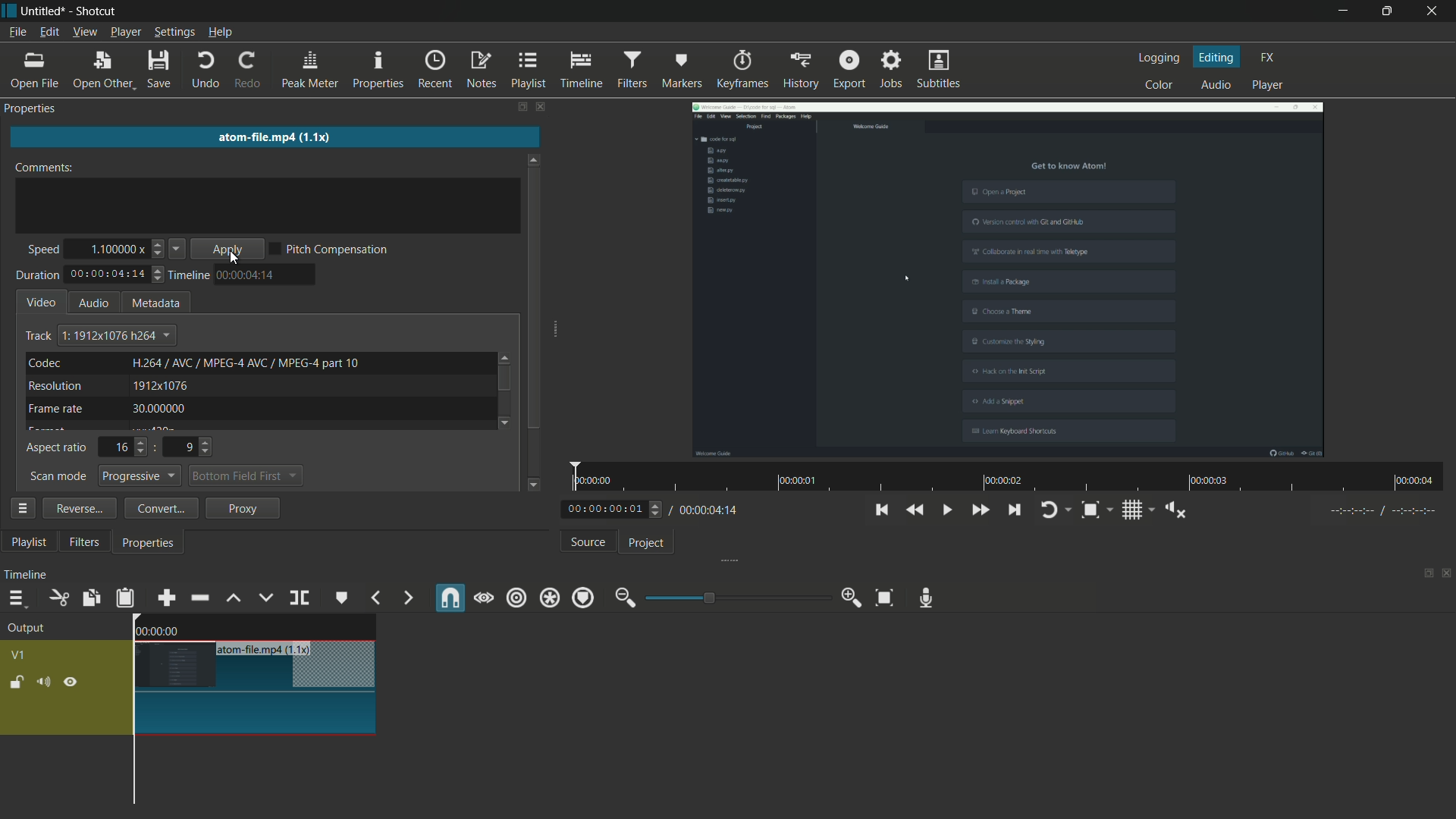 Image resolution: width=1456 pixels, height=819 pixels. Describe the element at coordinates (1268, 58) in the screenshot. I see `fx` at that location.